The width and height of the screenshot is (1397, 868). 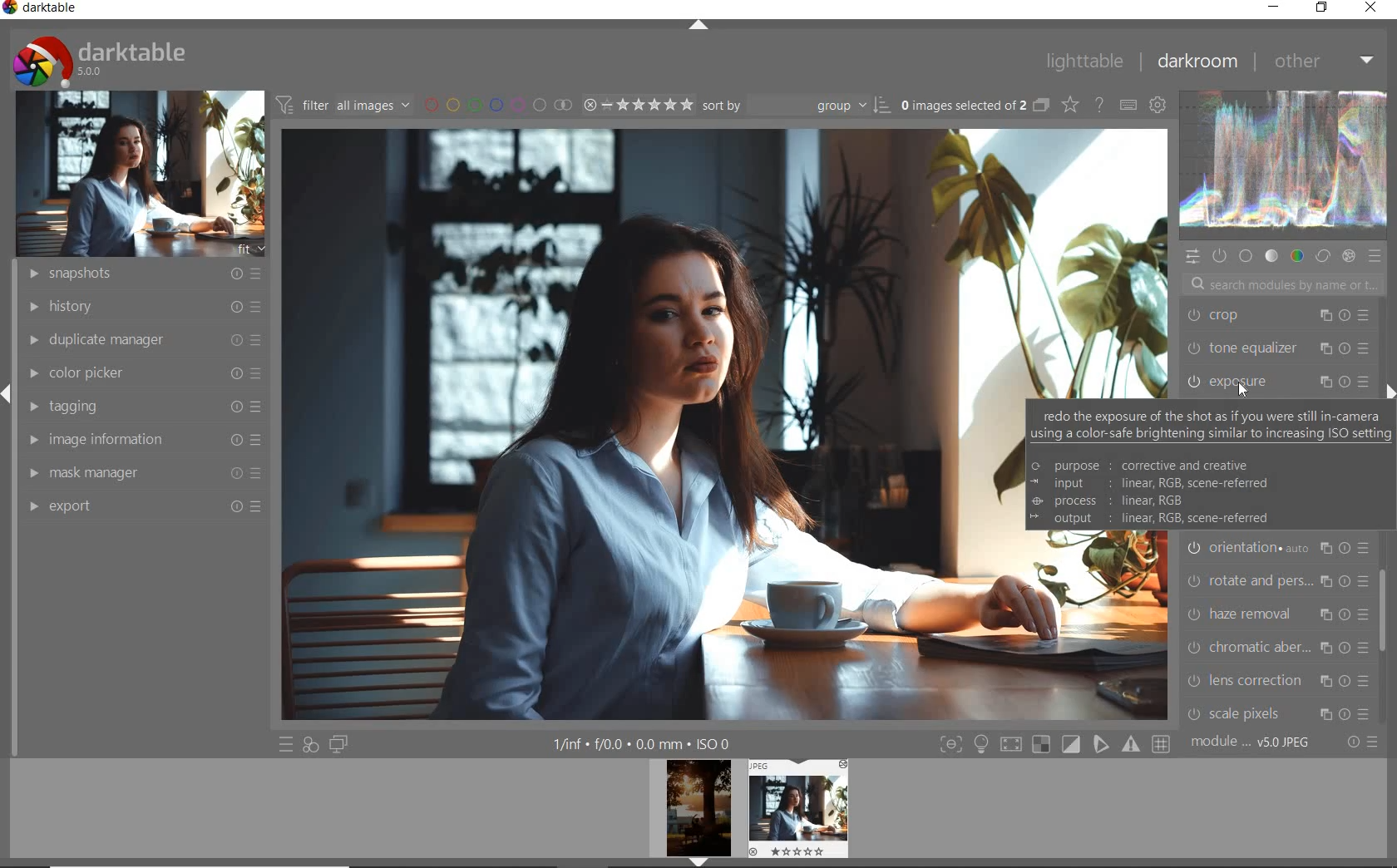 What do you see at coordinates (1040, 106) in the screenshot?
I see `COLLAPSE GROUPED IMAGE` at bounding box center [1040, 106].